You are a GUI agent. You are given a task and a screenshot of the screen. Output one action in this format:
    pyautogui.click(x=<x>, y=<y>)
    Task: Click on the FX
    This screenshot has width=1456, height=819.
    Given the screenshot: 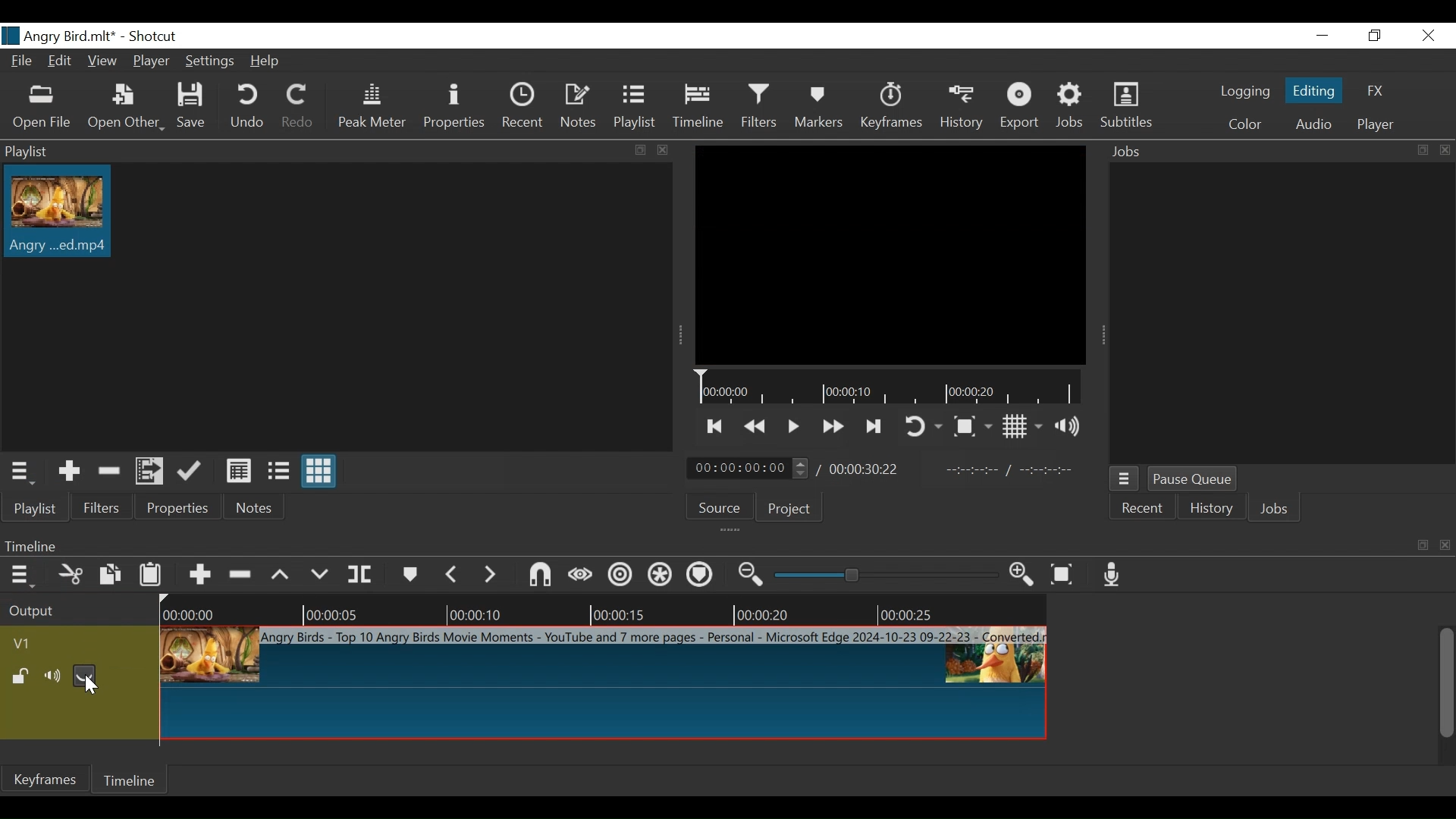 What is the action you would take?
    pyautogui.click(x=1375, y=91)
    